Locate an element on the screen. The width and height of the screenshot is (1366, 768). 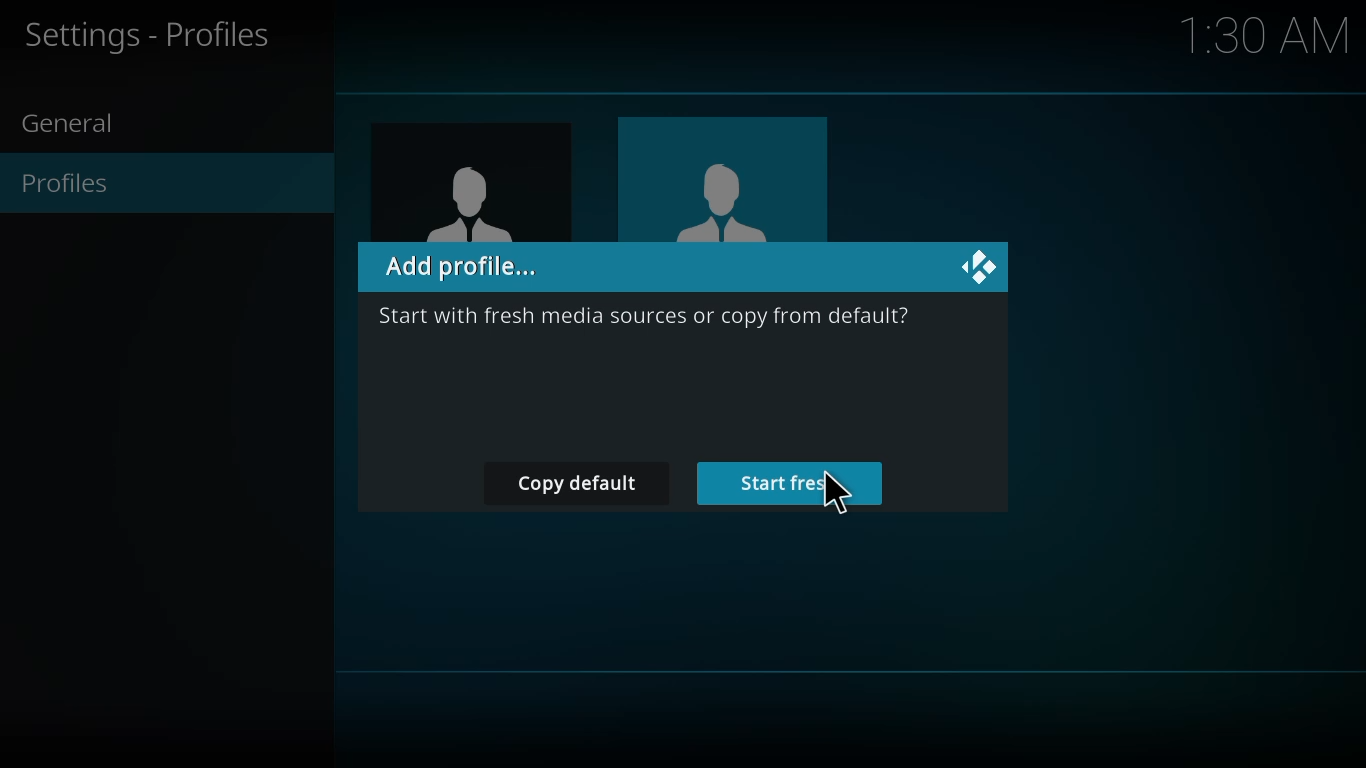
user is located at coordinates (725, 195).